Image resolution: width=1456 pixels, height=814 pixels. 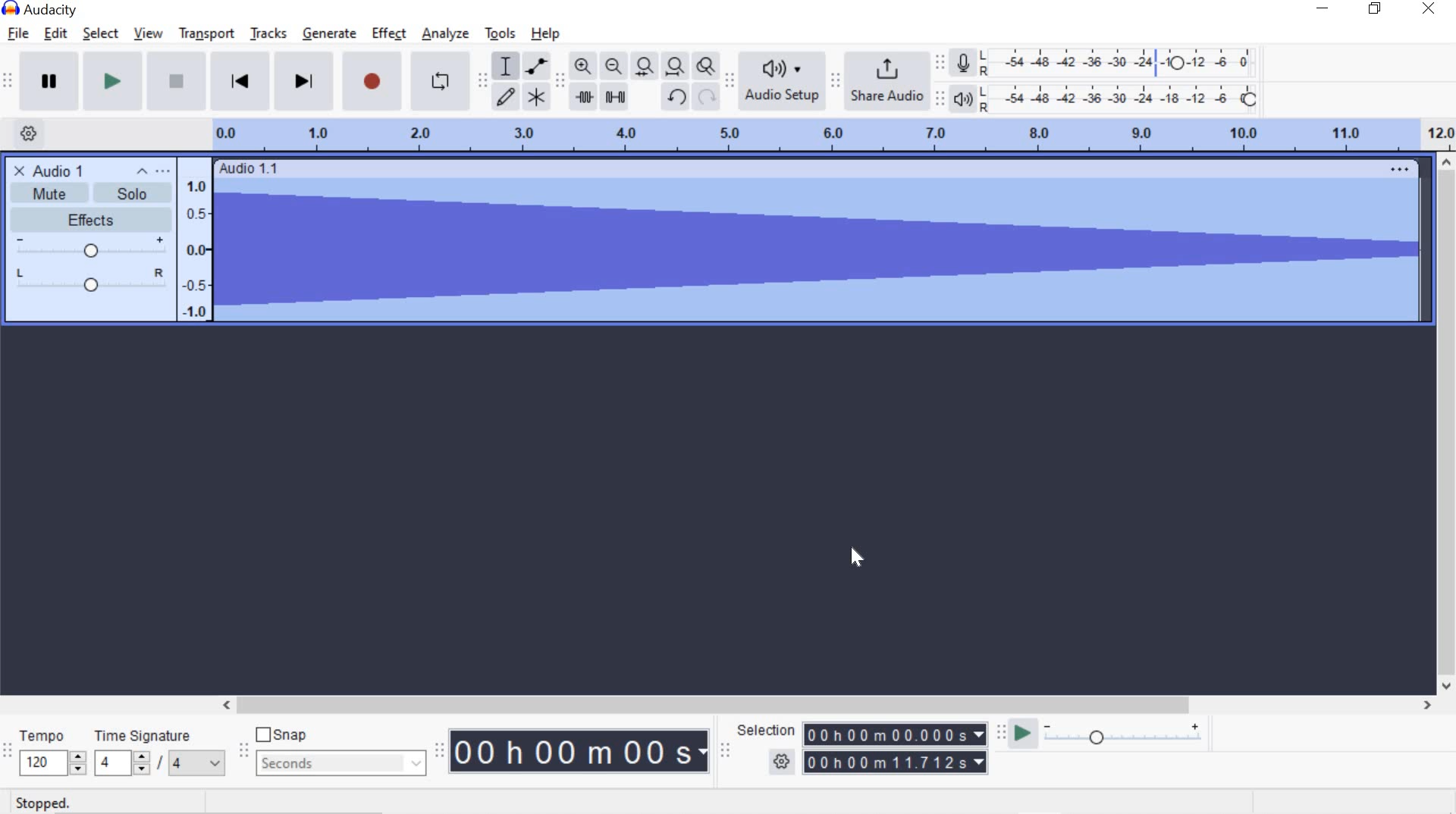 What do you see at coordinates (881, 762) in the screenshot?
I see `selection time` at bounding box center [881, 762].